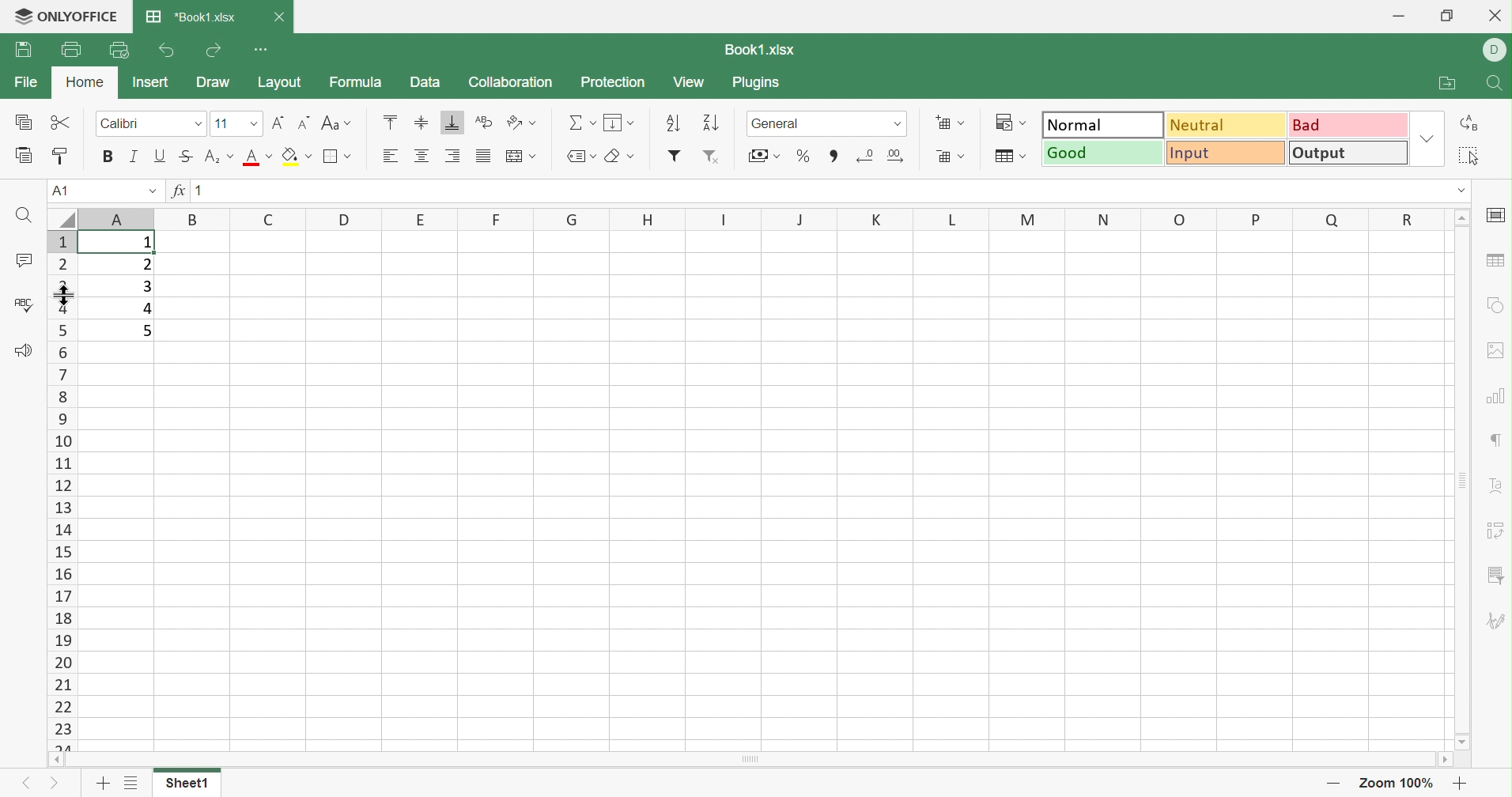 The width and height of the screenshot is (1512, 797). I want to click on List of sheets, so click(130, 780).